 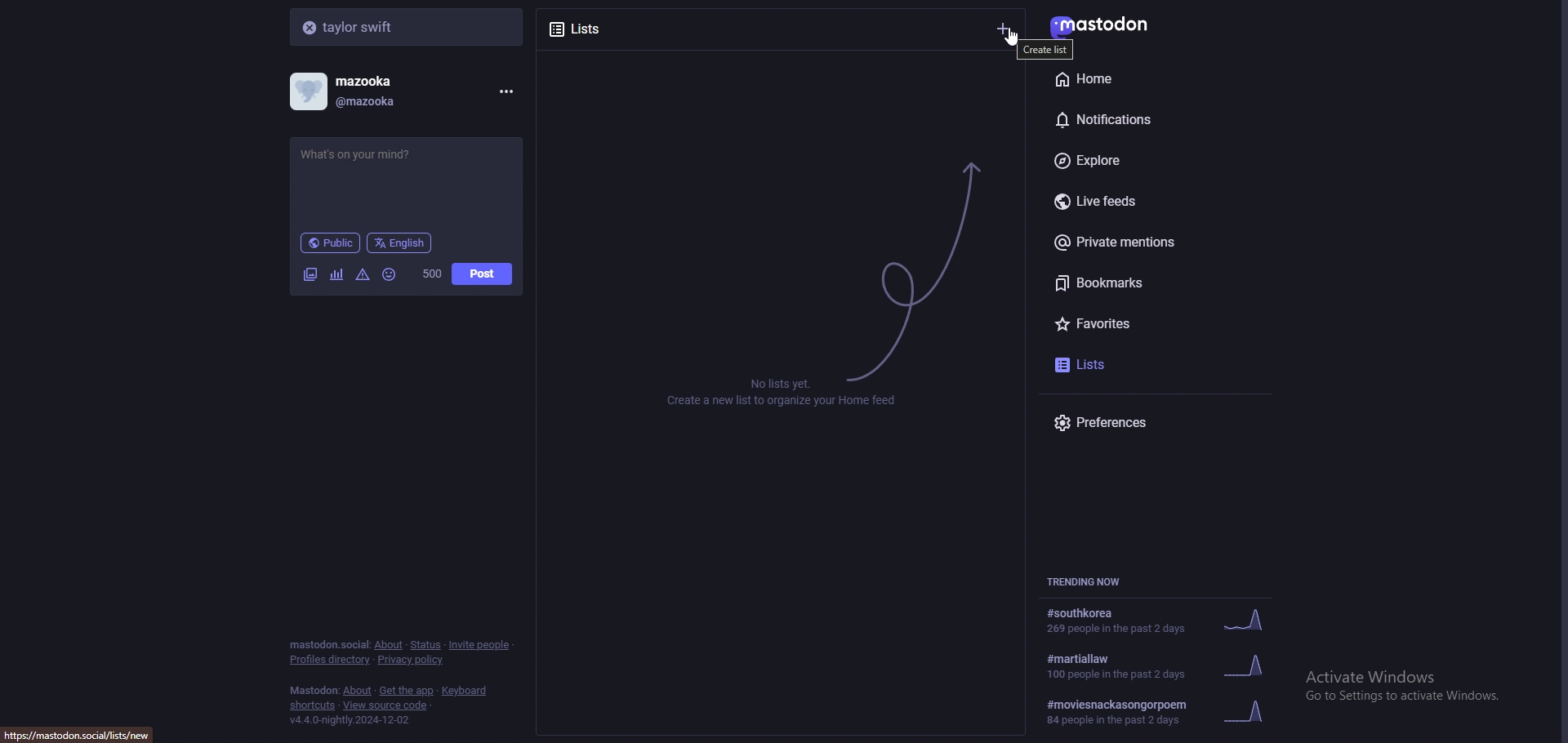 What do you see at coordinates (466, 691) in the screenshot?
I see `keyboard` at bounding box center [466, 691].